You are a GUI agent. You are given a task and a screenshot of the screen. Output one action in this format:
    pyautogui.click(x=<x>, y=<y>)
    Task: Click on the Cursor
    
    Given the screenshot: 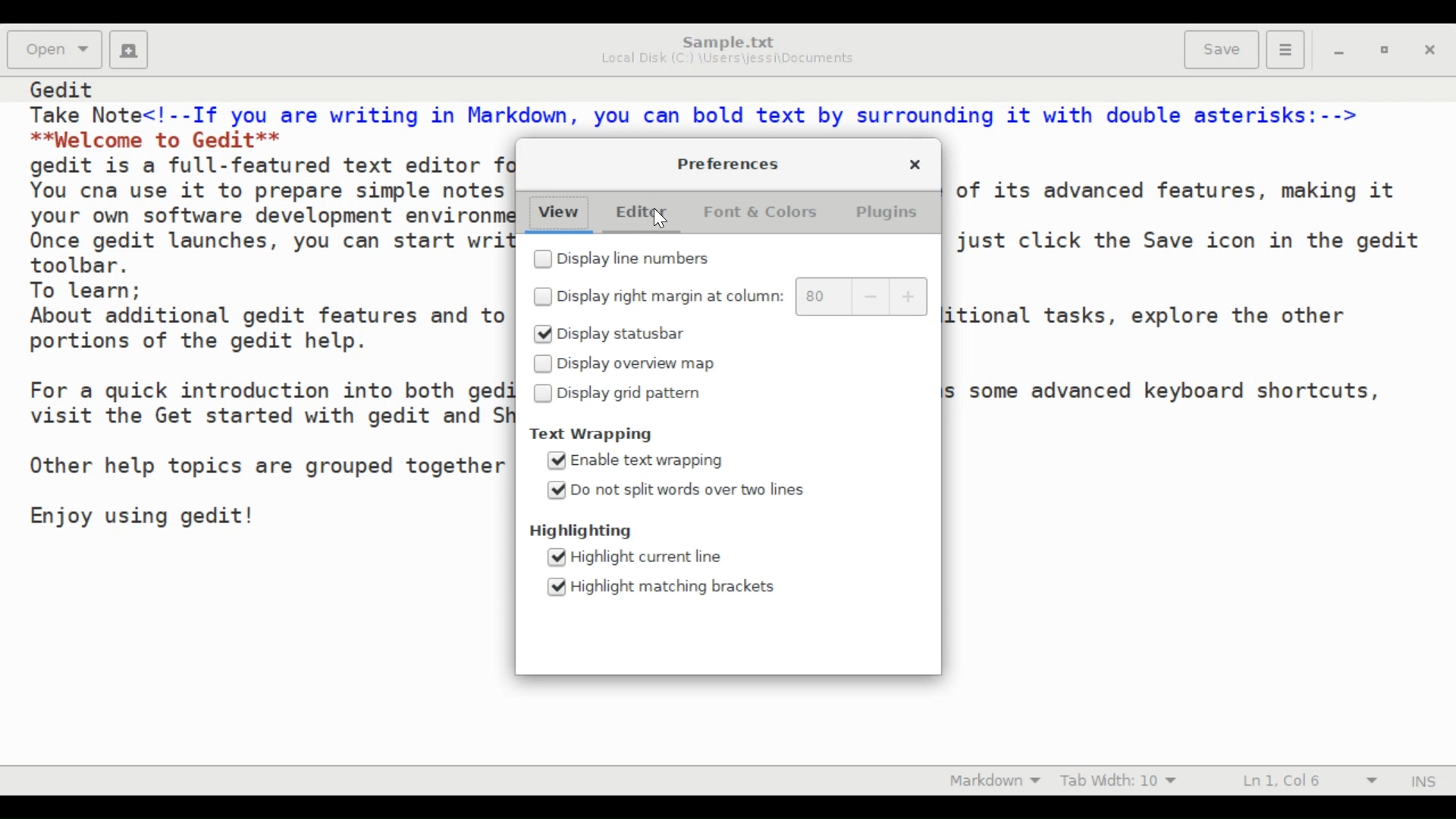 What is the action you would take?
    pyautogui.click(x=661, y=220)
    